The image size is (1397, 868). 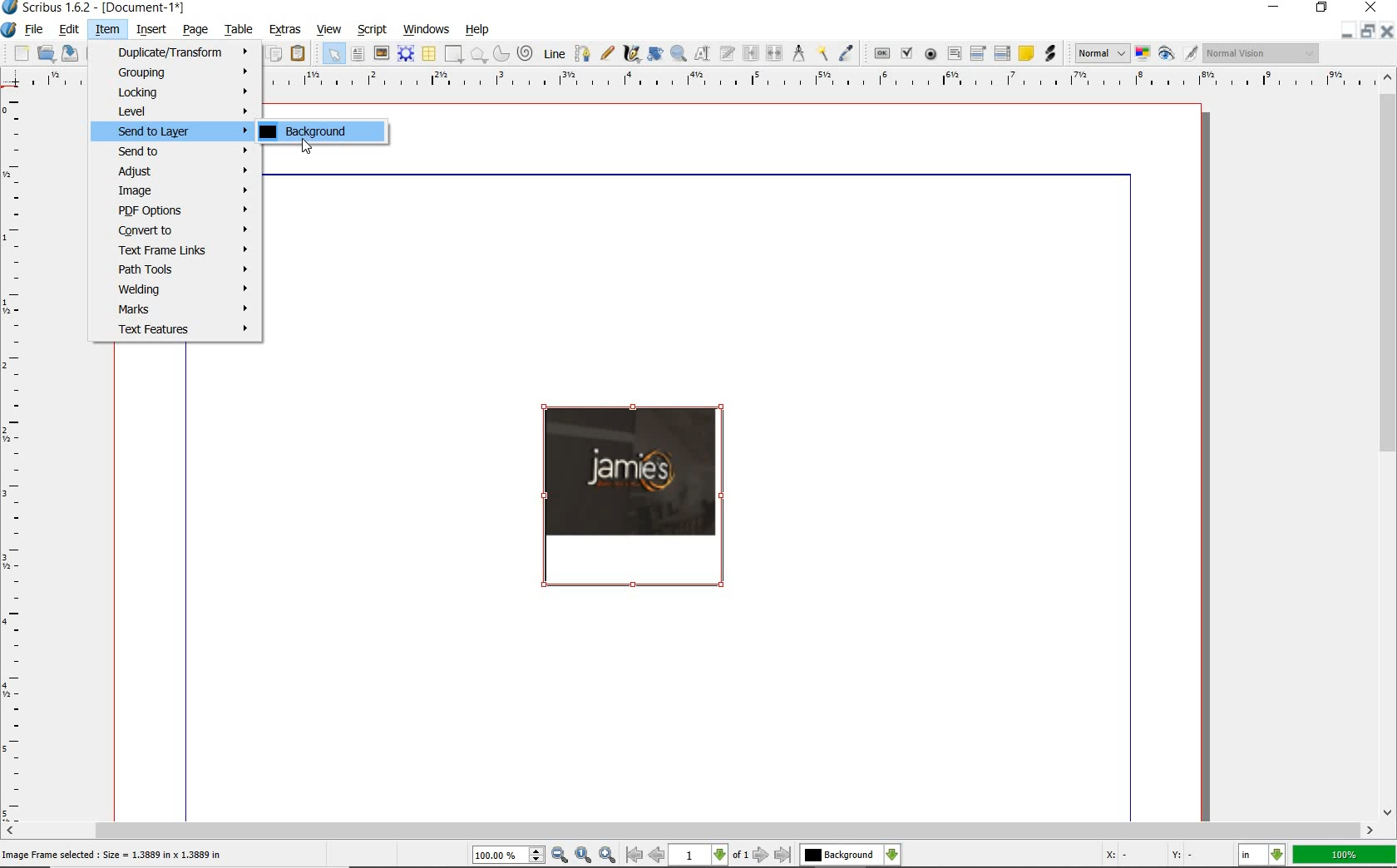 I want to click on edit contents of frame, so click(x=704, y=53).